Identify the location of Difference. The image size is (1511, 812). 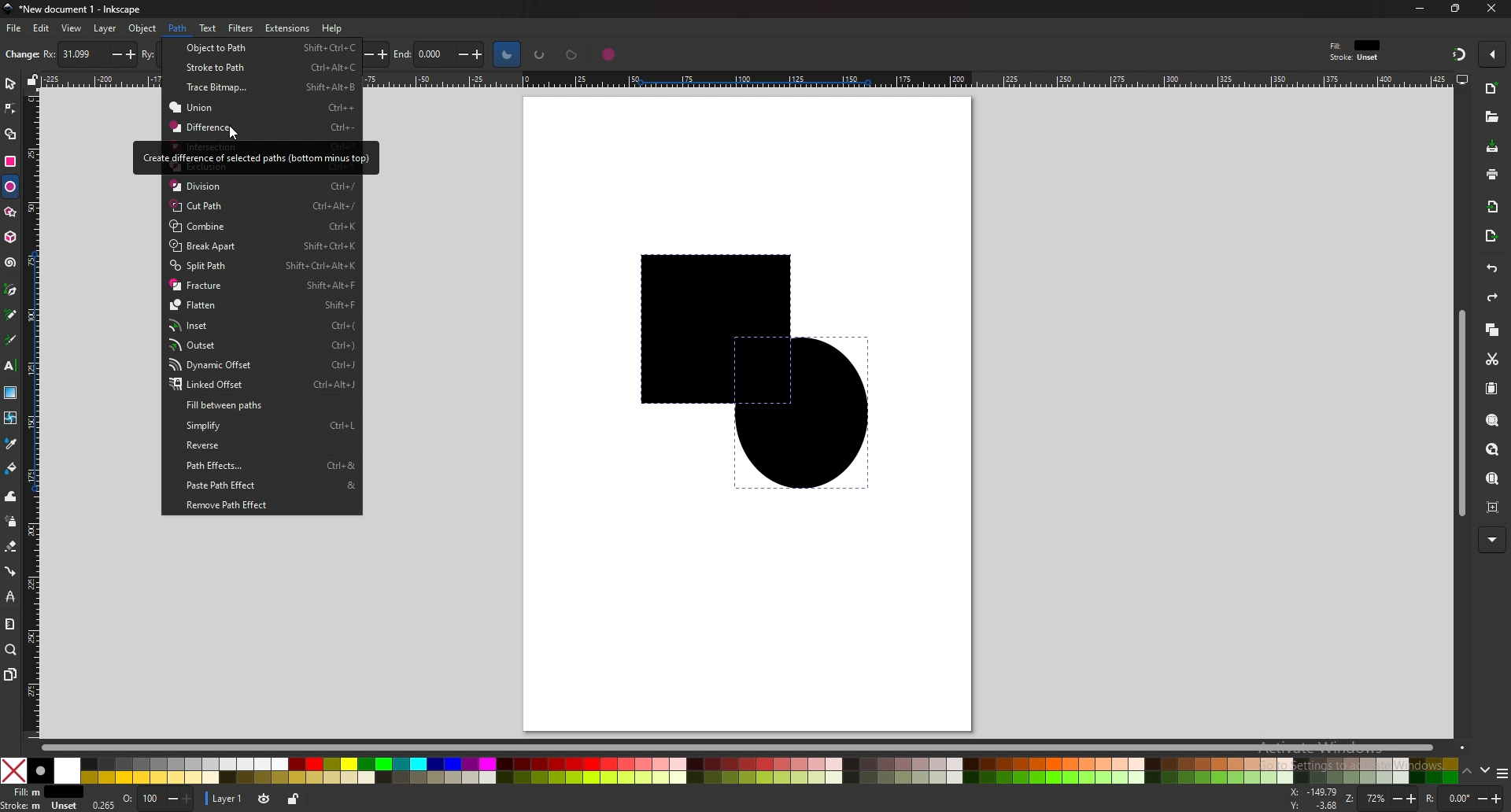
(263, 127).